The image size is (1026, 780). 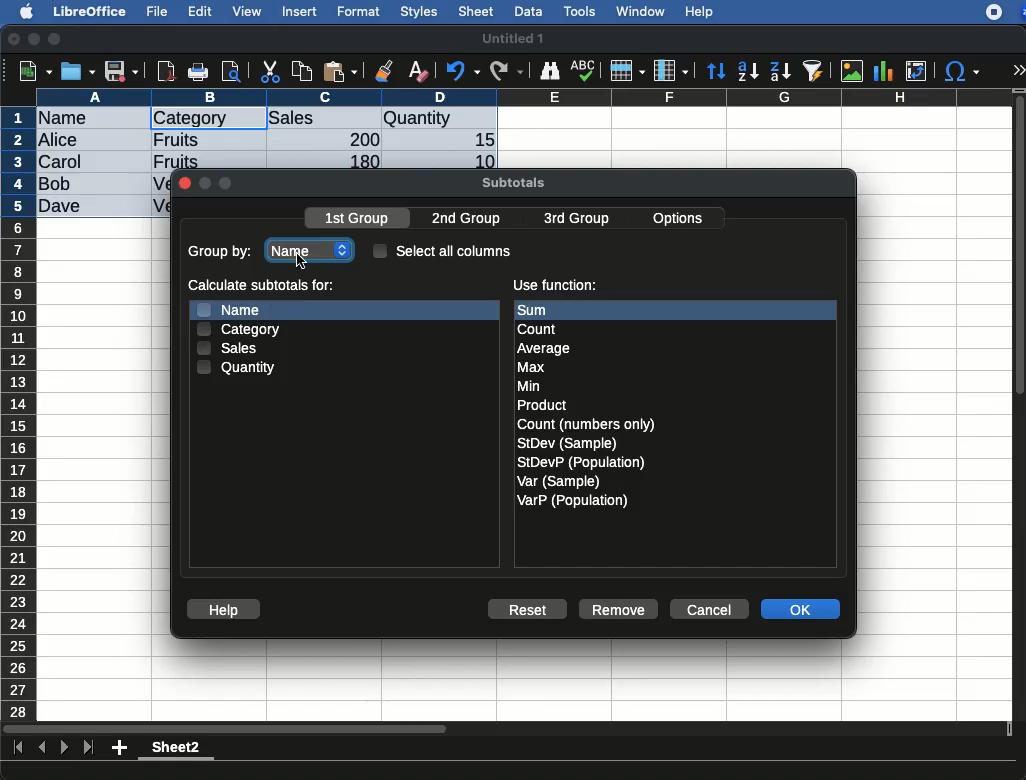 What do you see at coordinates (230, 350) in the screenshot?
I see `sales` at bounding box center [230, 350].